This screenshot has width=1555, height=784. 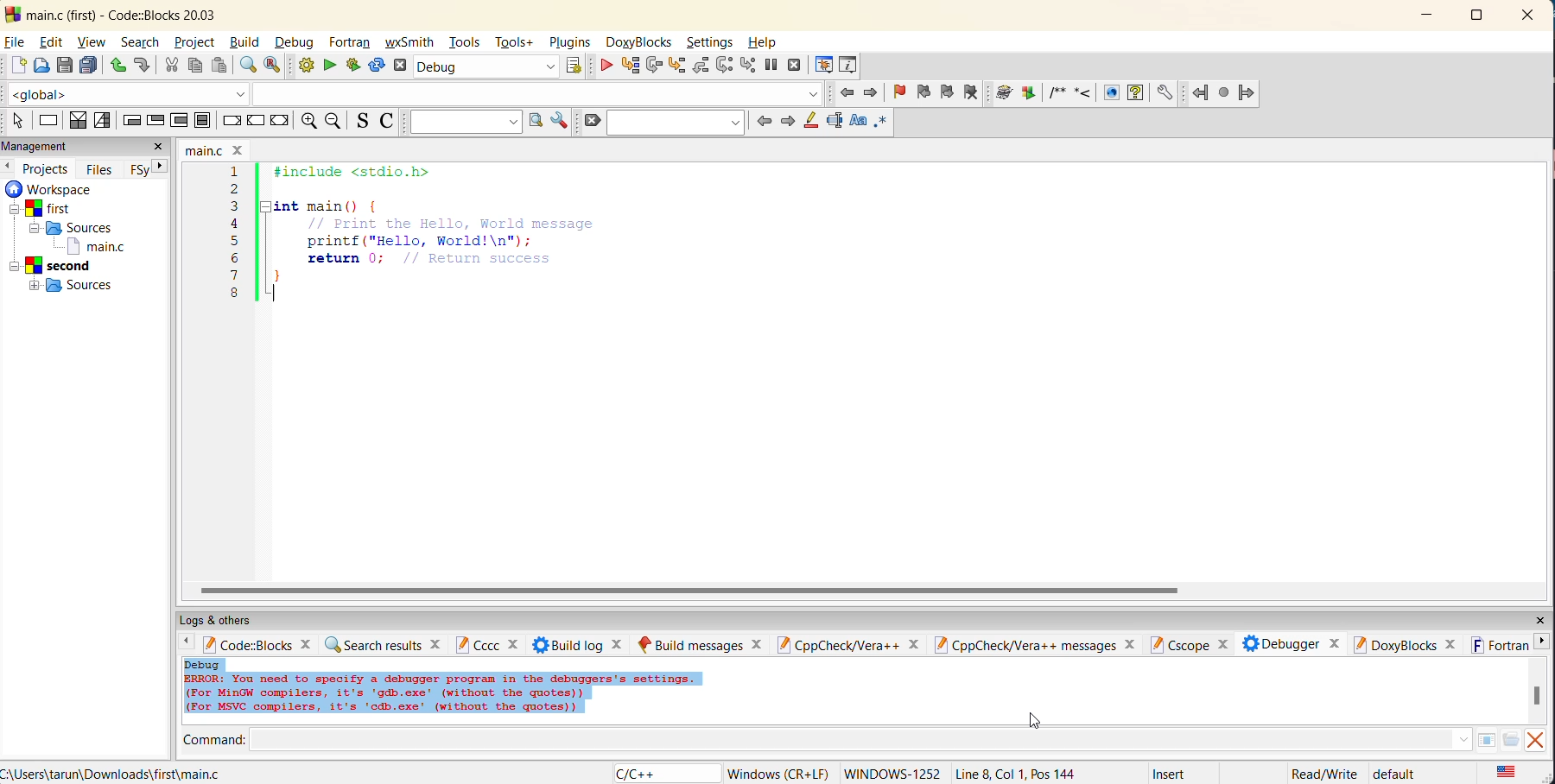 I want to click on close, so click(x=1529, y=16).